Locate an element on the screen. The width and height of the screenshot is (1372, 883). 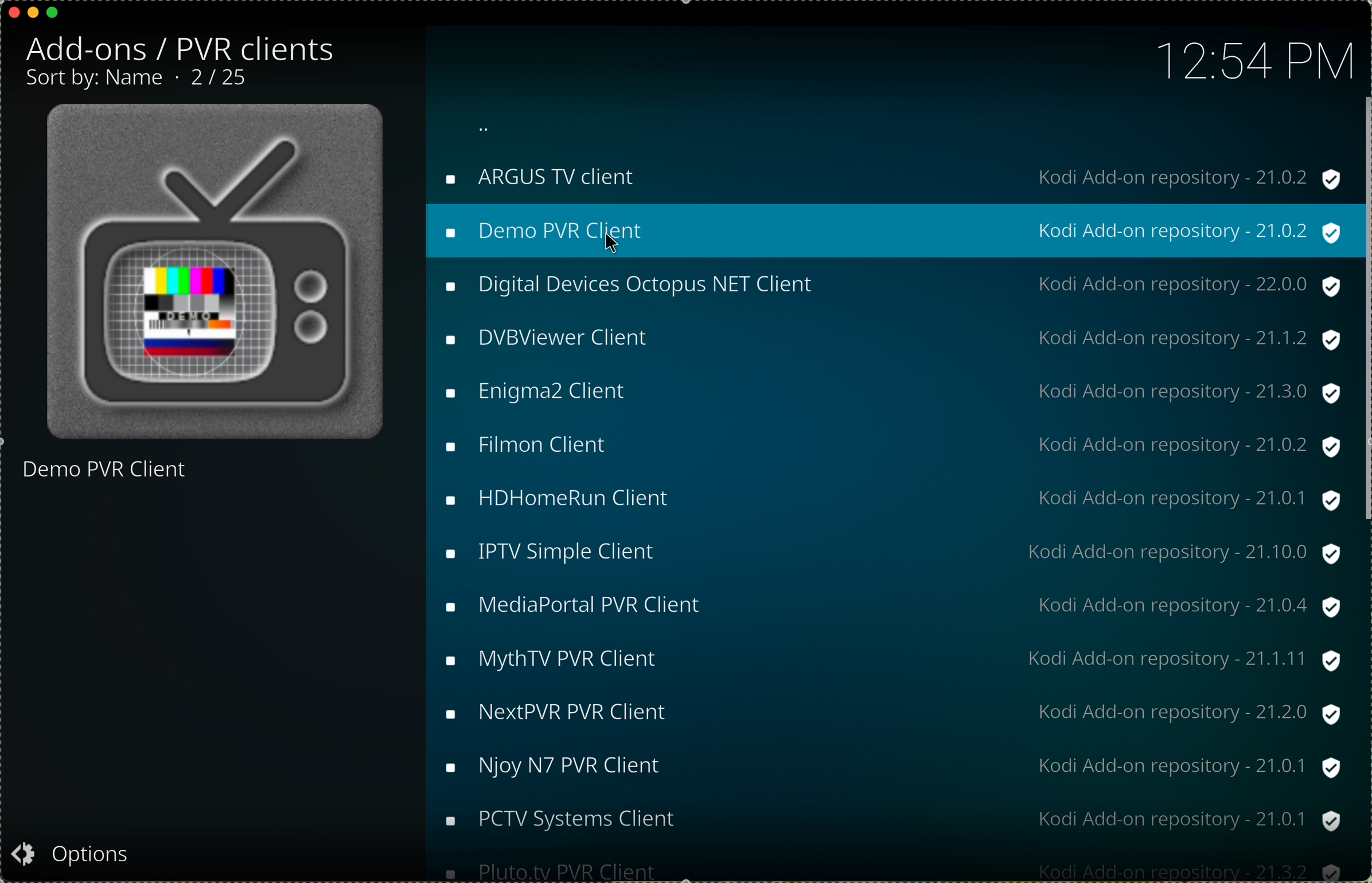
sort by: name . 2 / 25 is located at coordinates (137, 79).